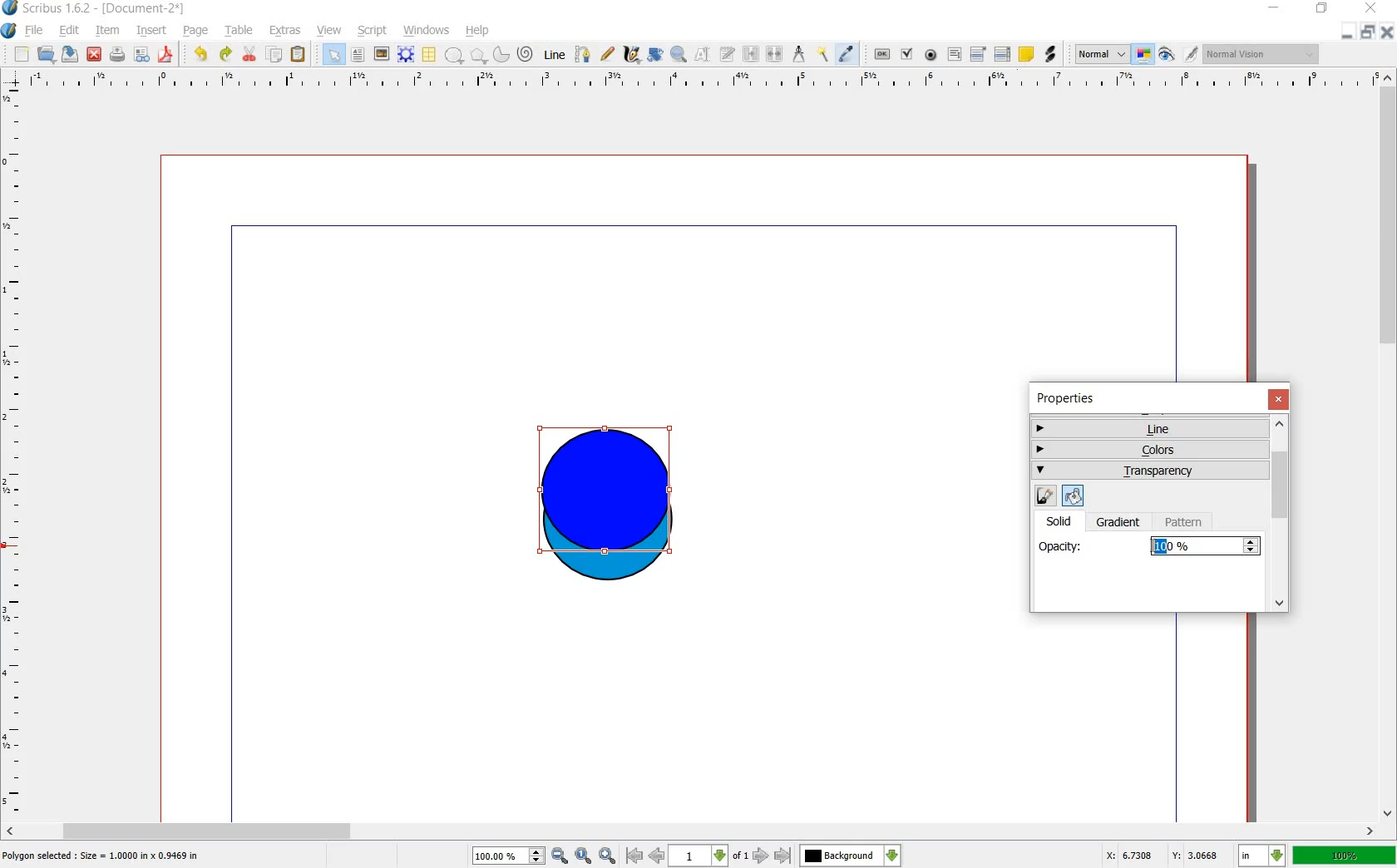  Describe the element at coordinates (777, 55) in the screenshot. I see `unlink text frames` at that location.